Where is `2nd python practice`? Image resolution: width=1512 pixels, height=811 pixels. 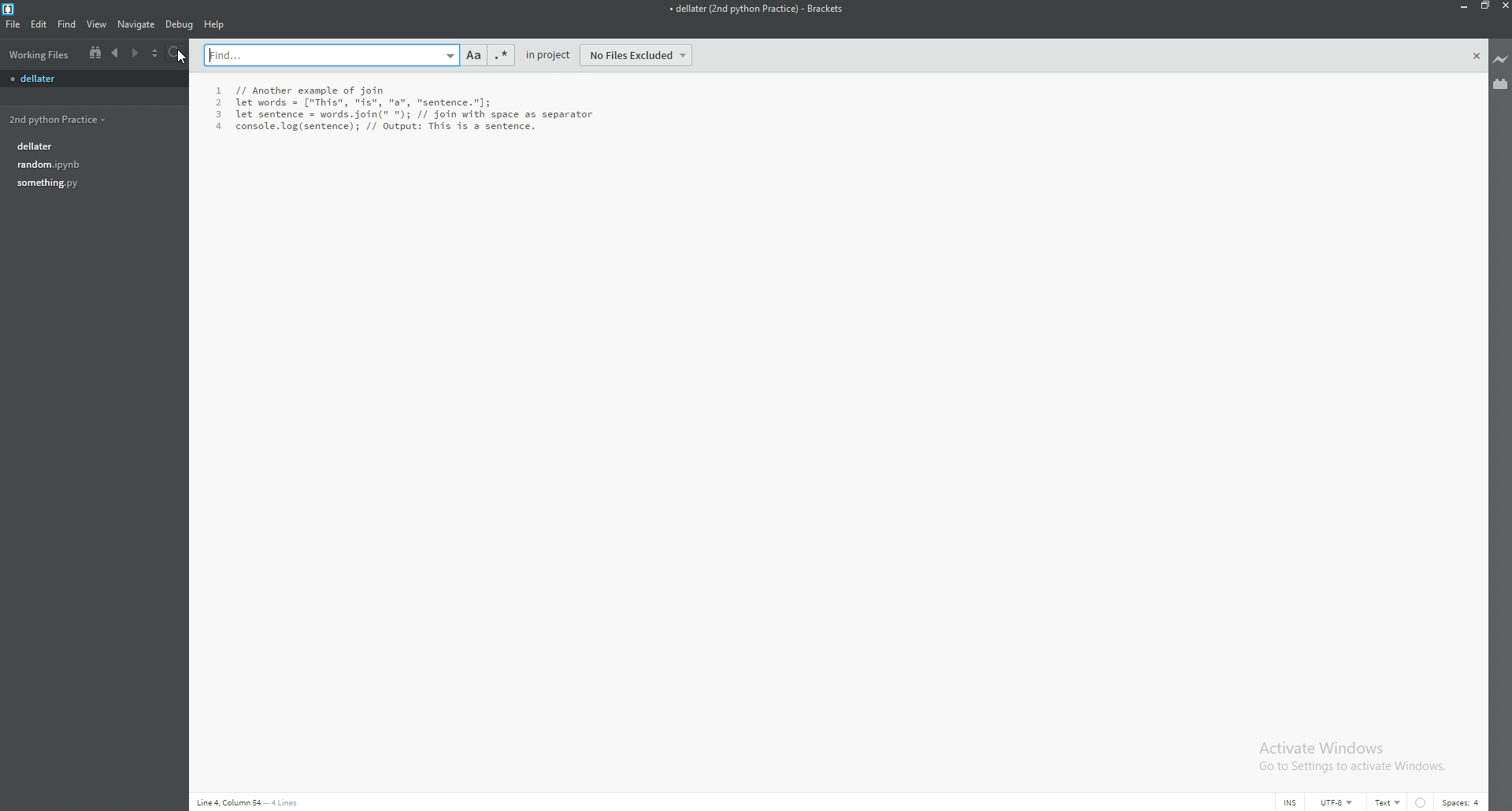 2nd python practice is located at coordinates (57, 119).